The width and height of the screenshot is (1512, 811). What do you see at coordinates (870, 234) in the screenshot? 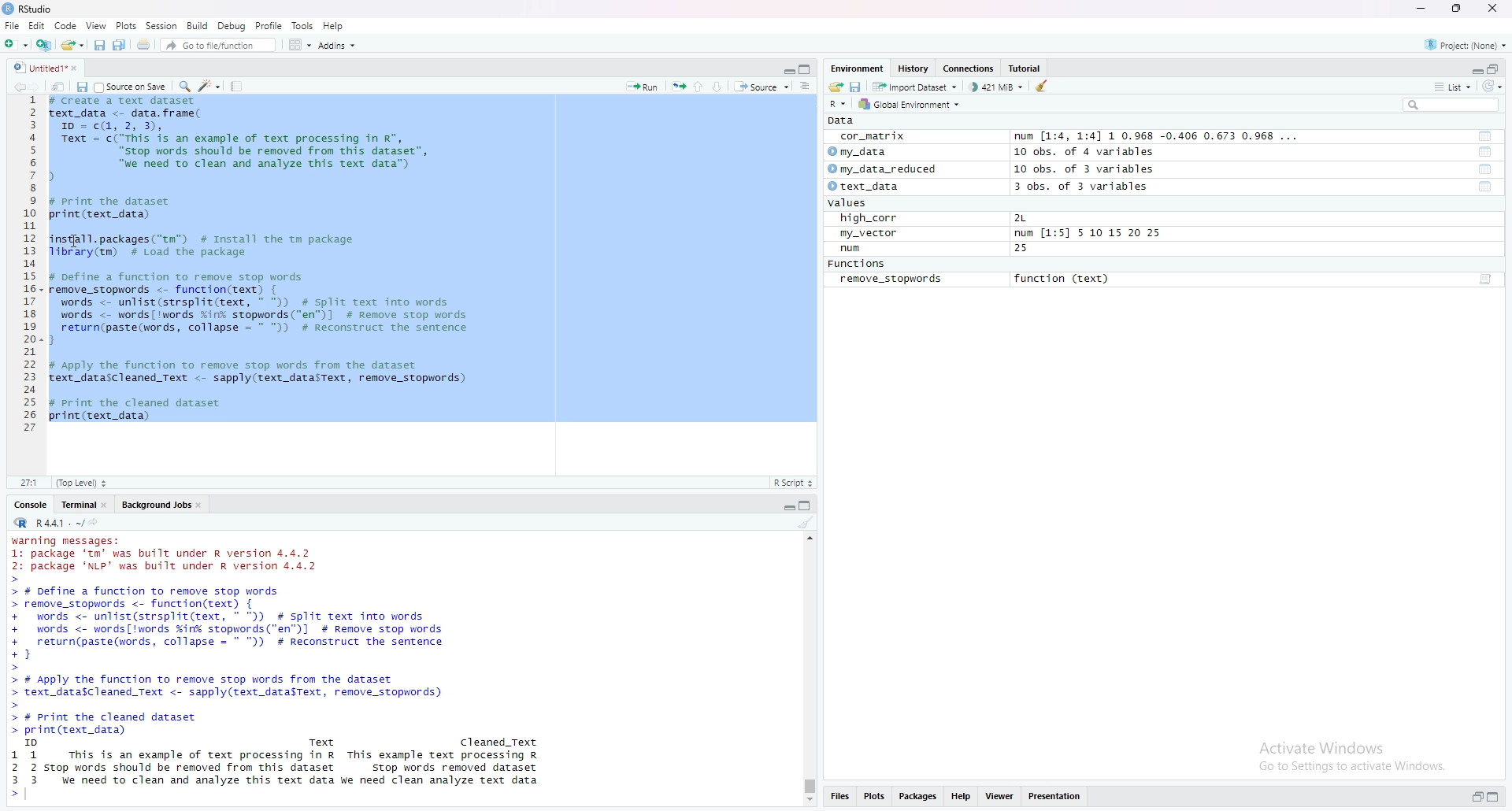
I see `my_vector` at bounding box center [870, 234].